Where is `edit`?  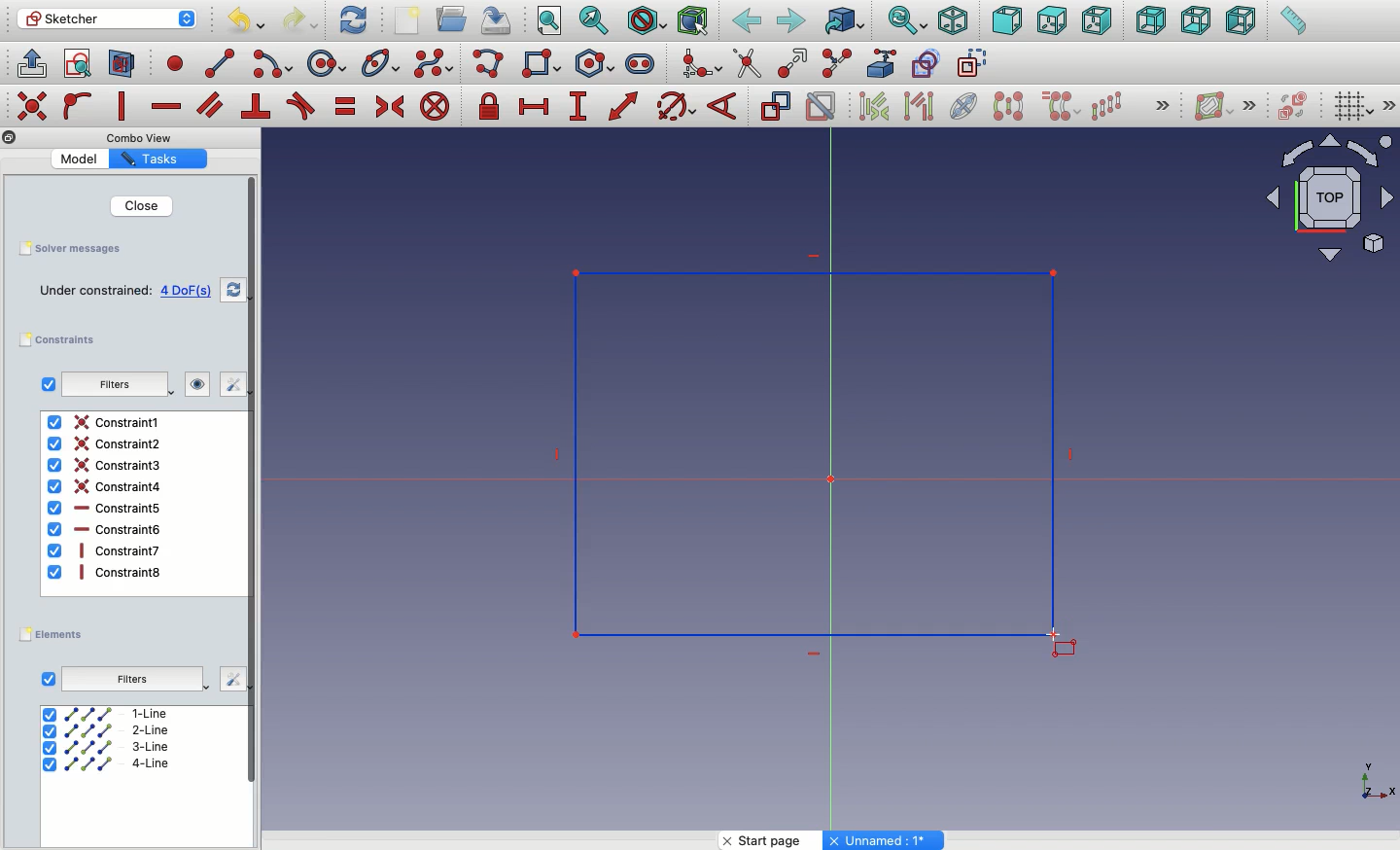 edit is located at coordinates (231, 679).